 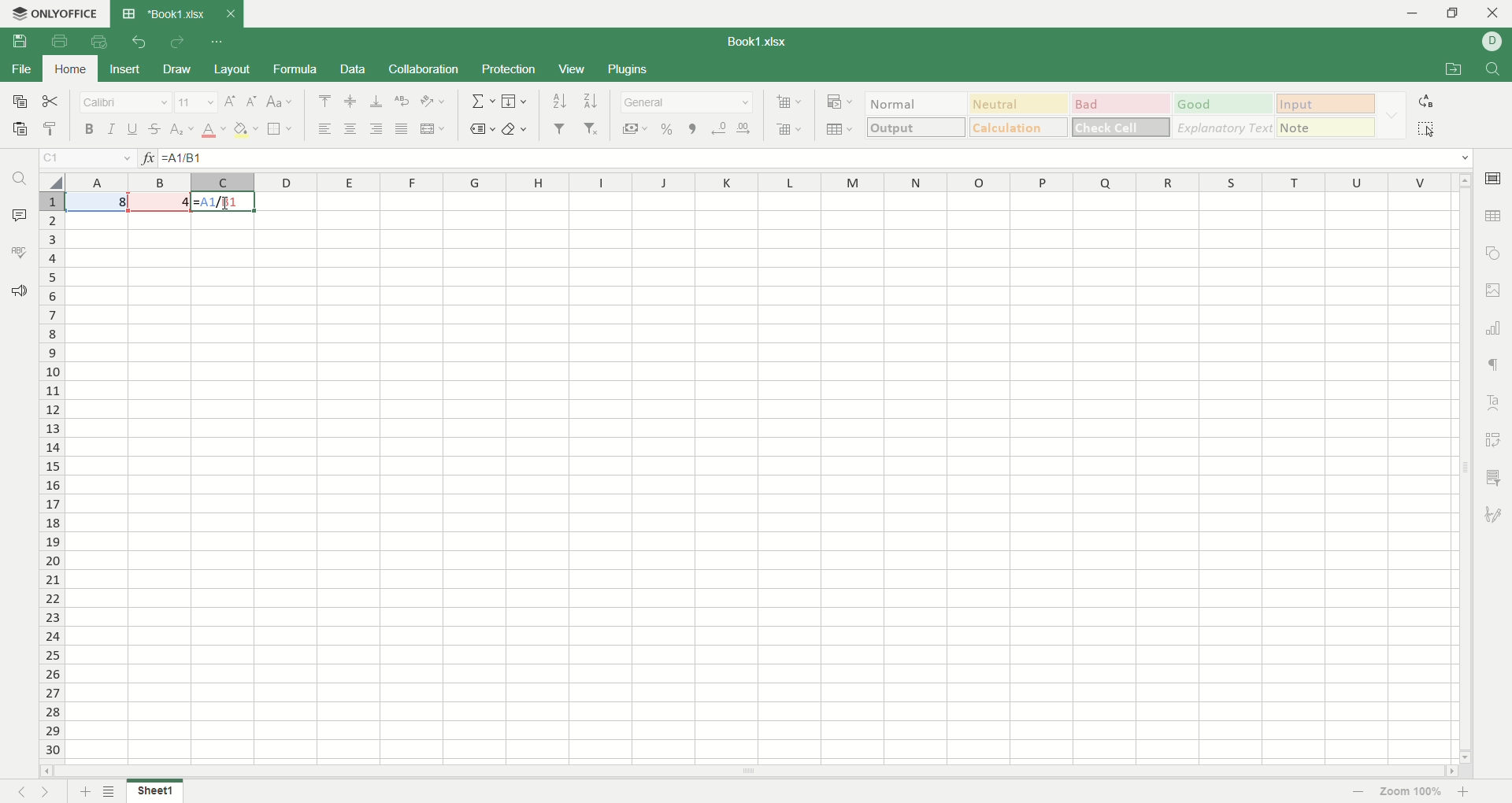 What do you see at coordinates (560, 128) in the screenshot?
I see `filter` at bounding box center [560, 128].